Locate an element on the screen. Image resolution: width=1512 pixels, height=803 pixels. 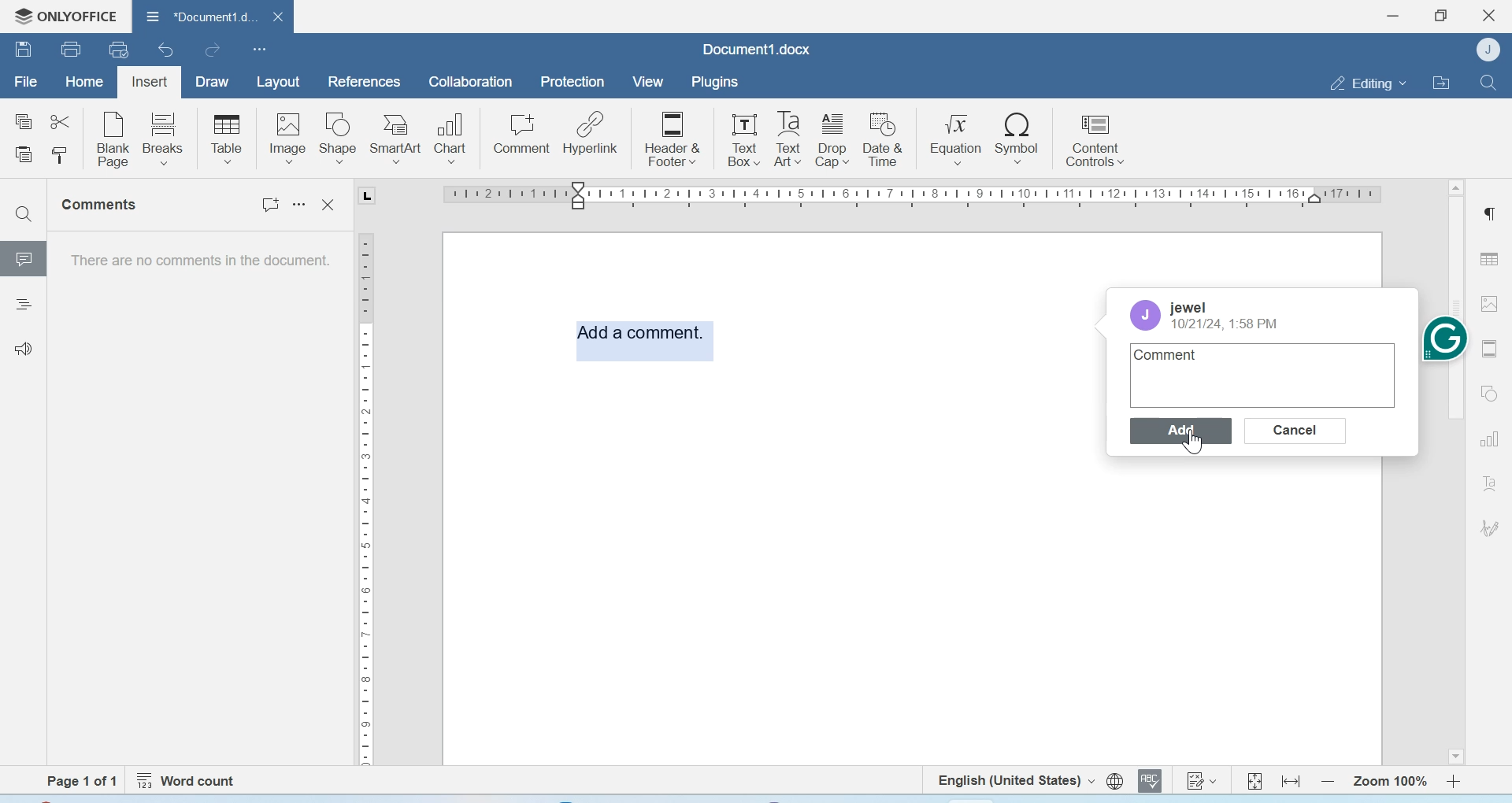
Paragraph settings is located at coordinates (1488, 213).